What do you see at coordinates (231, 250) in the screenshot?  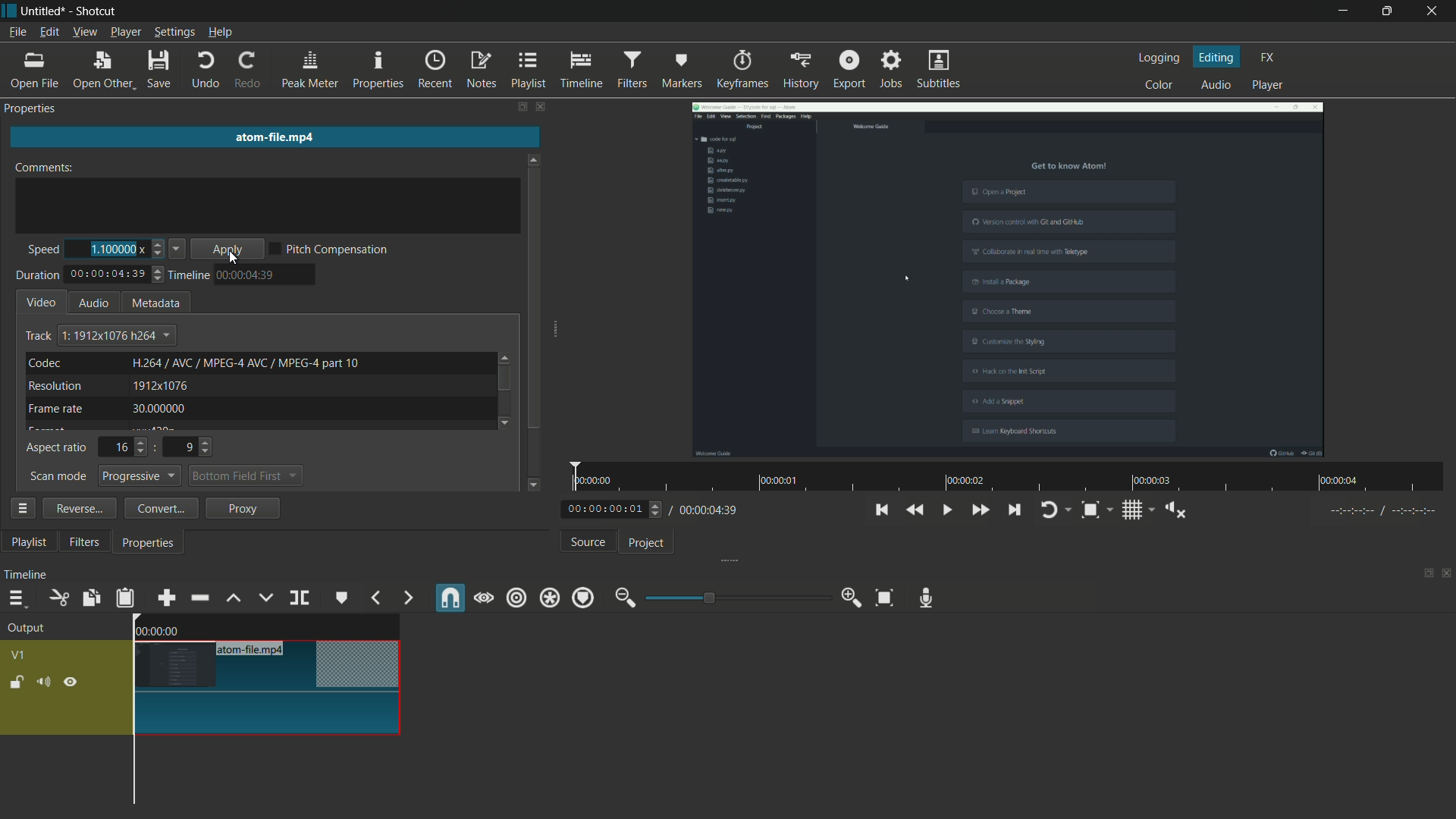 I see `apply` at bounding box center [231, 250].